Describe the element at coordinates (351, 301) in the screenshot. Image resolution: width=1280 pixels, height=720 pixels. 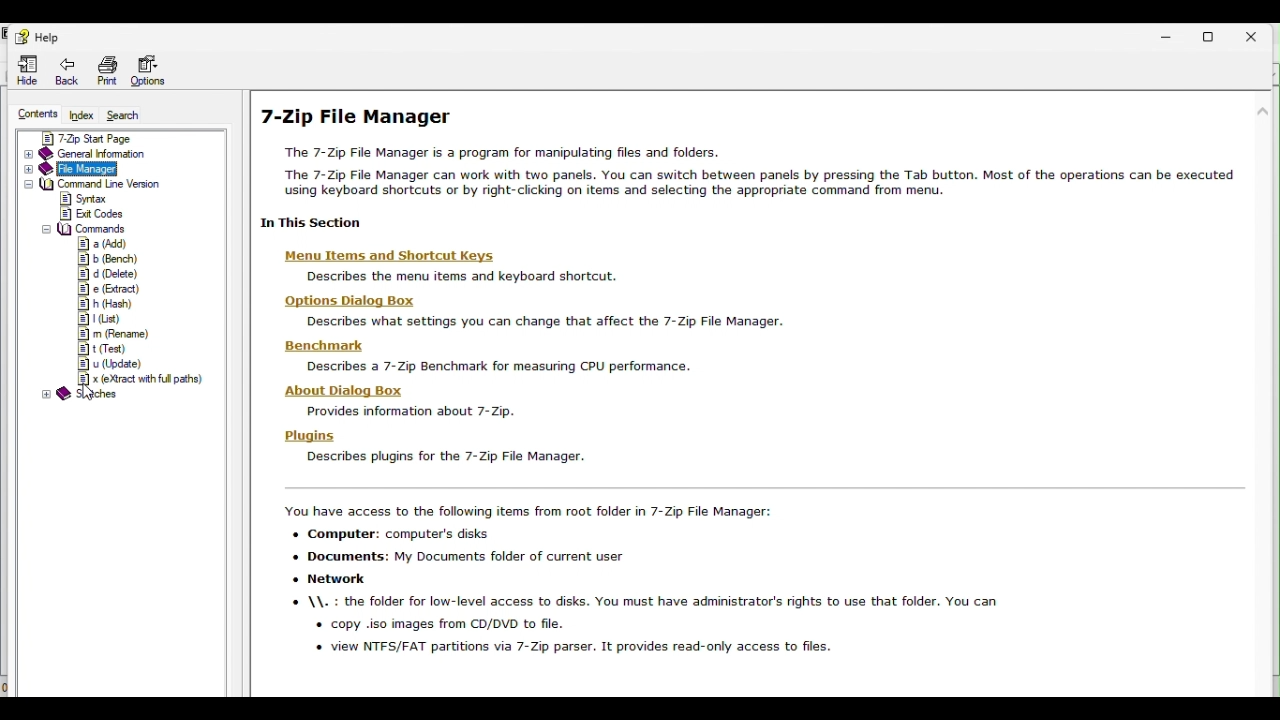
I see `‘Options Dialog Box` at that location.